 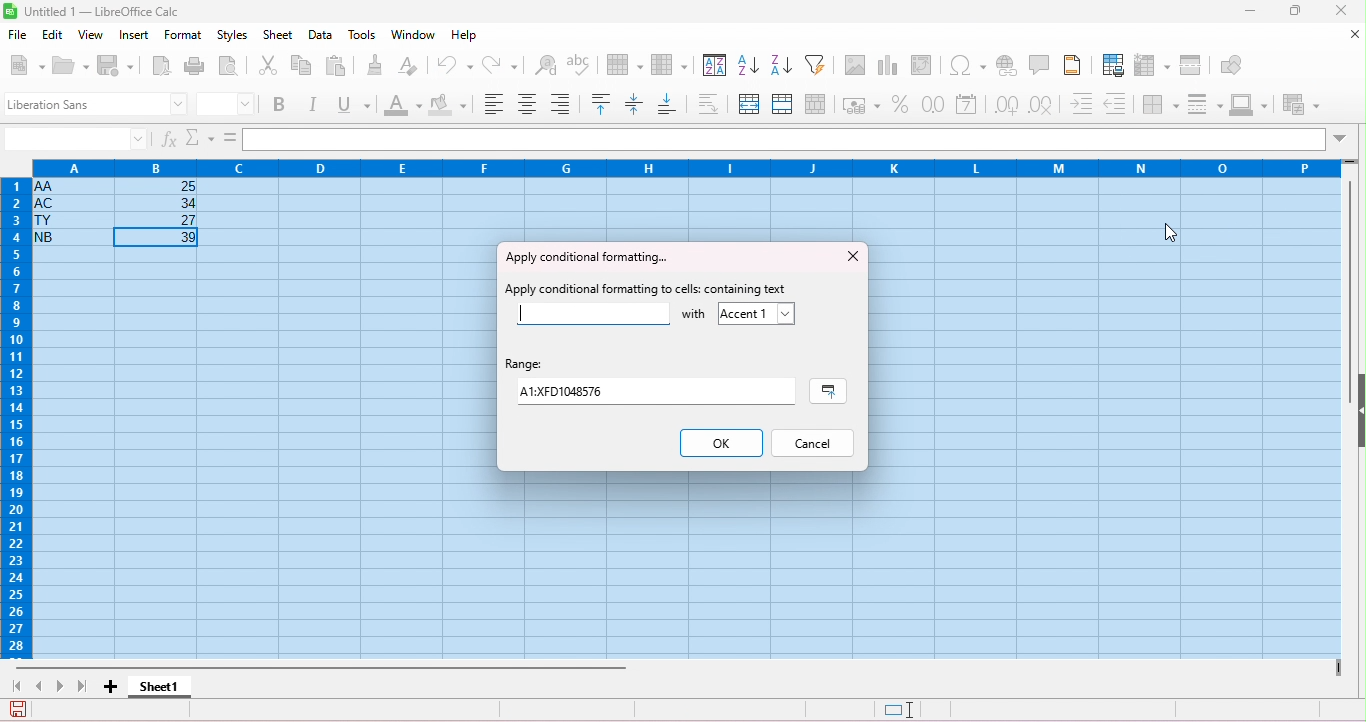 I want to click on apply conditional formatting, so click(x=592, y=257).